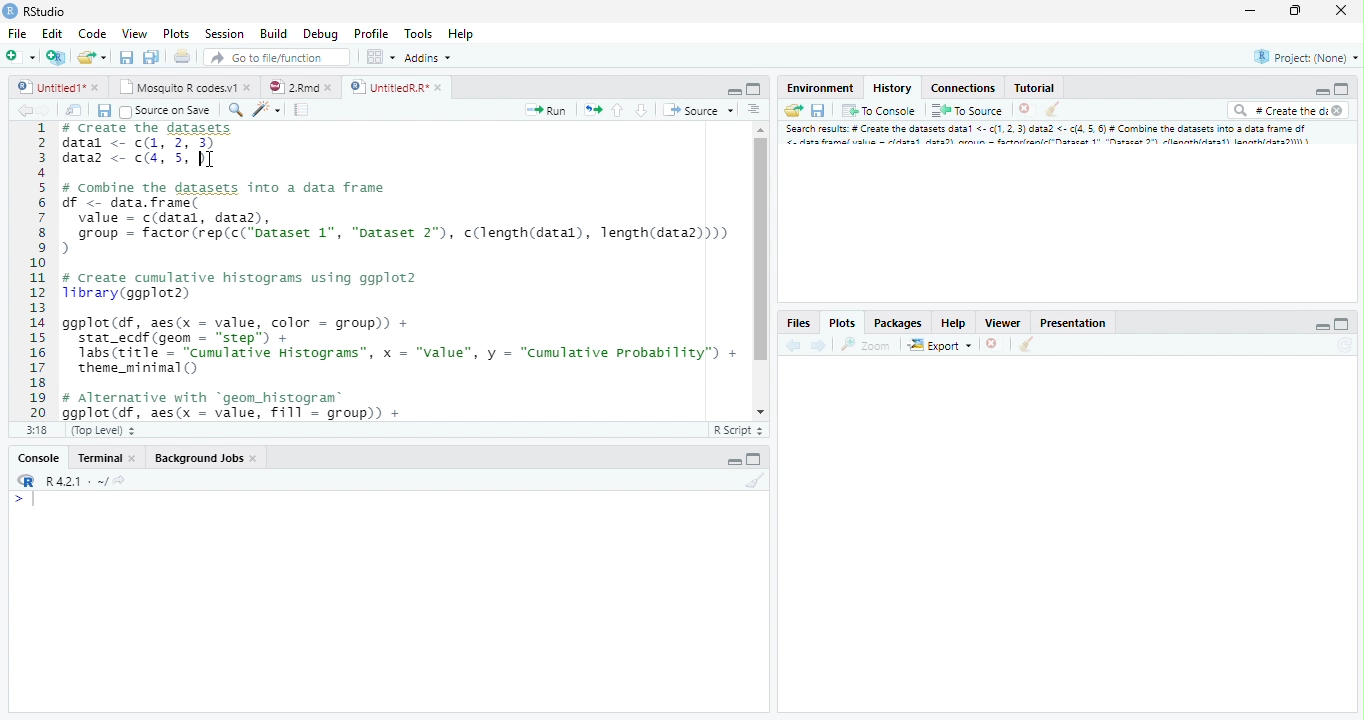  What do you see at coordinates (207, 458) in the screenshot?
I see `Background Jobs` at bounding box center [207, 458].